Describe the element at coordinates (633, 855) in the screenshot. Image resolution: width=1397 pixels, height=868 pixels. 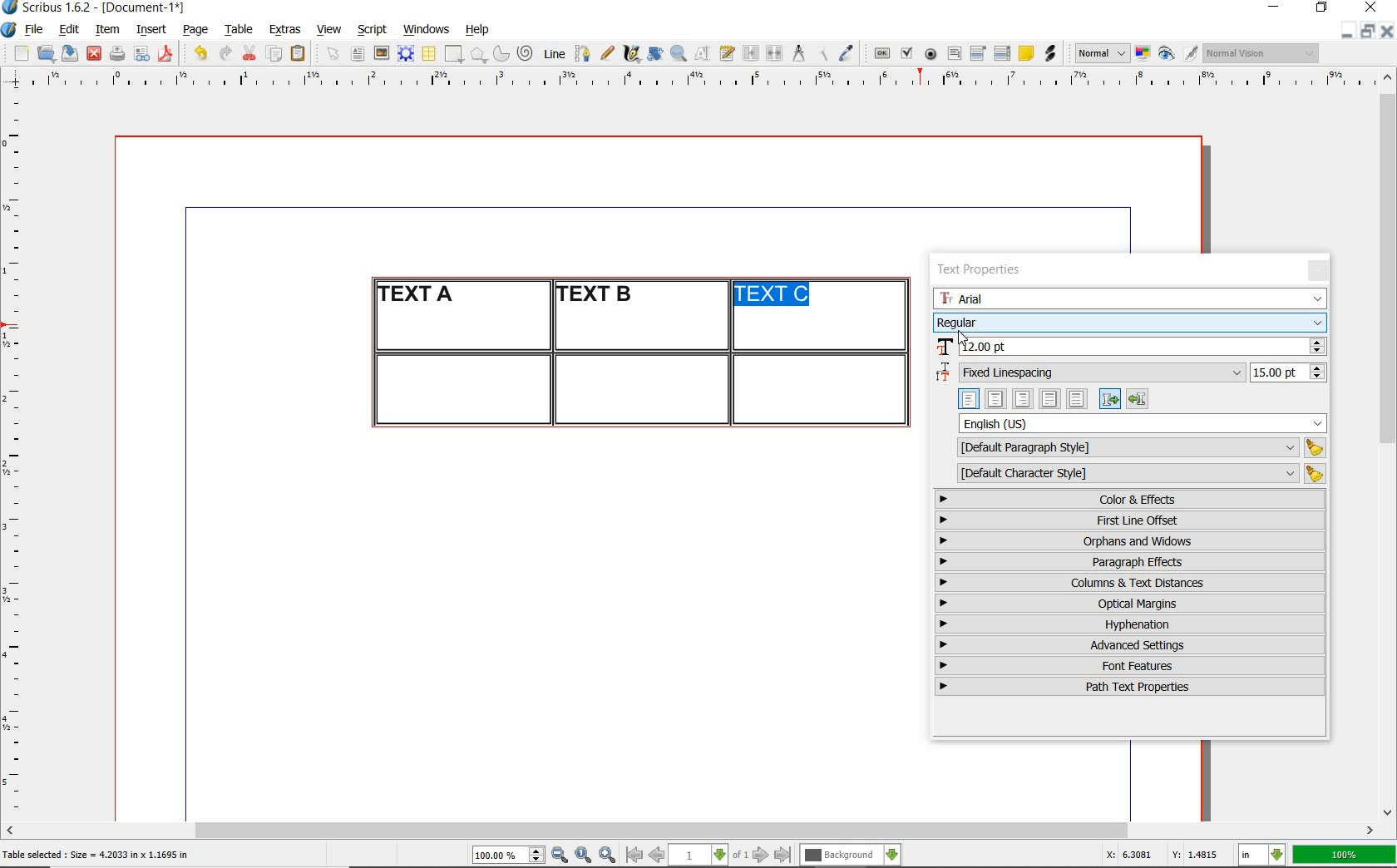
I see `go to first page` at that location.